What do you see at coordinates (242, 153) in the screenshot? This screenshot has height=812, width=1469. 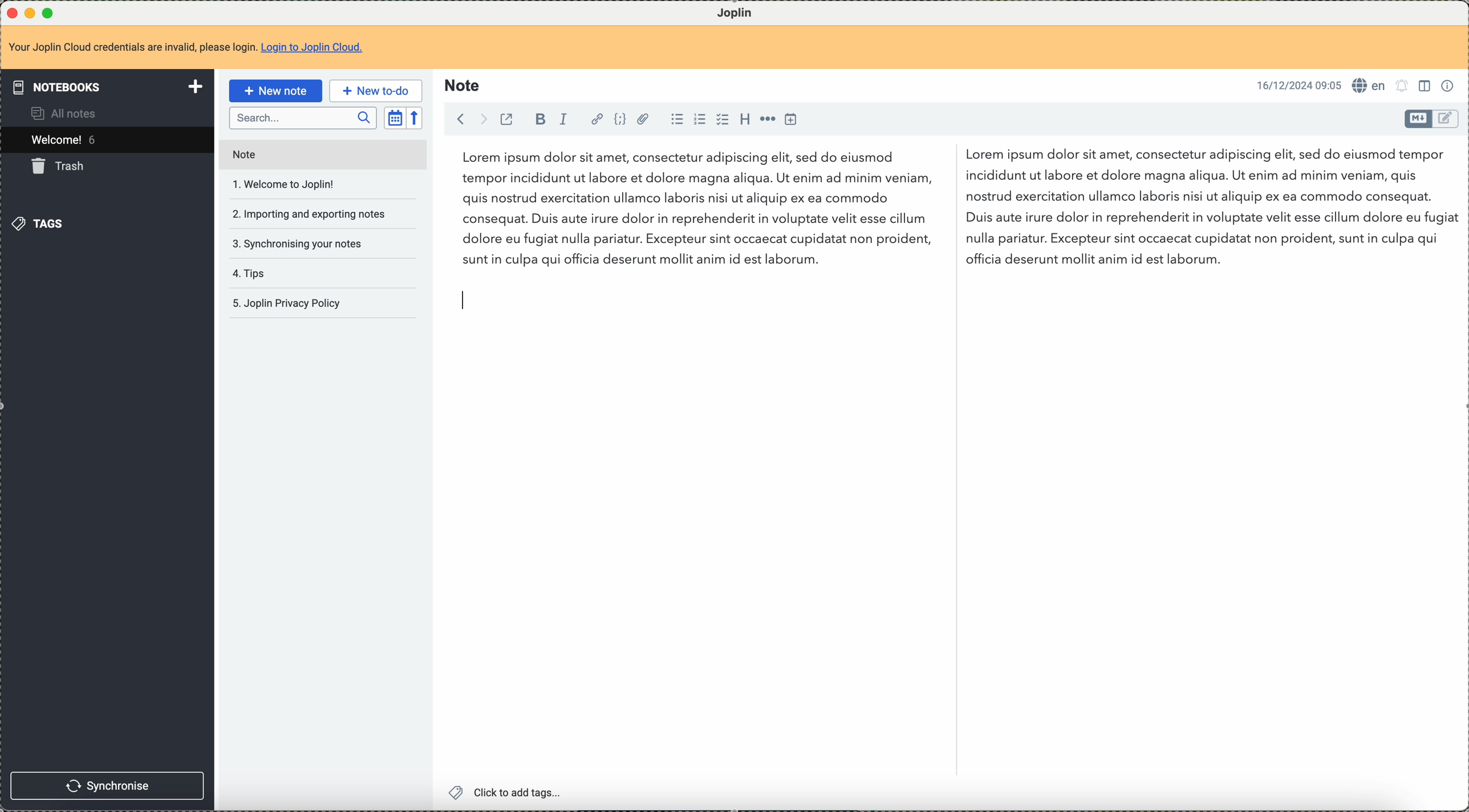 I see `note` at bounding box center [242, 153].